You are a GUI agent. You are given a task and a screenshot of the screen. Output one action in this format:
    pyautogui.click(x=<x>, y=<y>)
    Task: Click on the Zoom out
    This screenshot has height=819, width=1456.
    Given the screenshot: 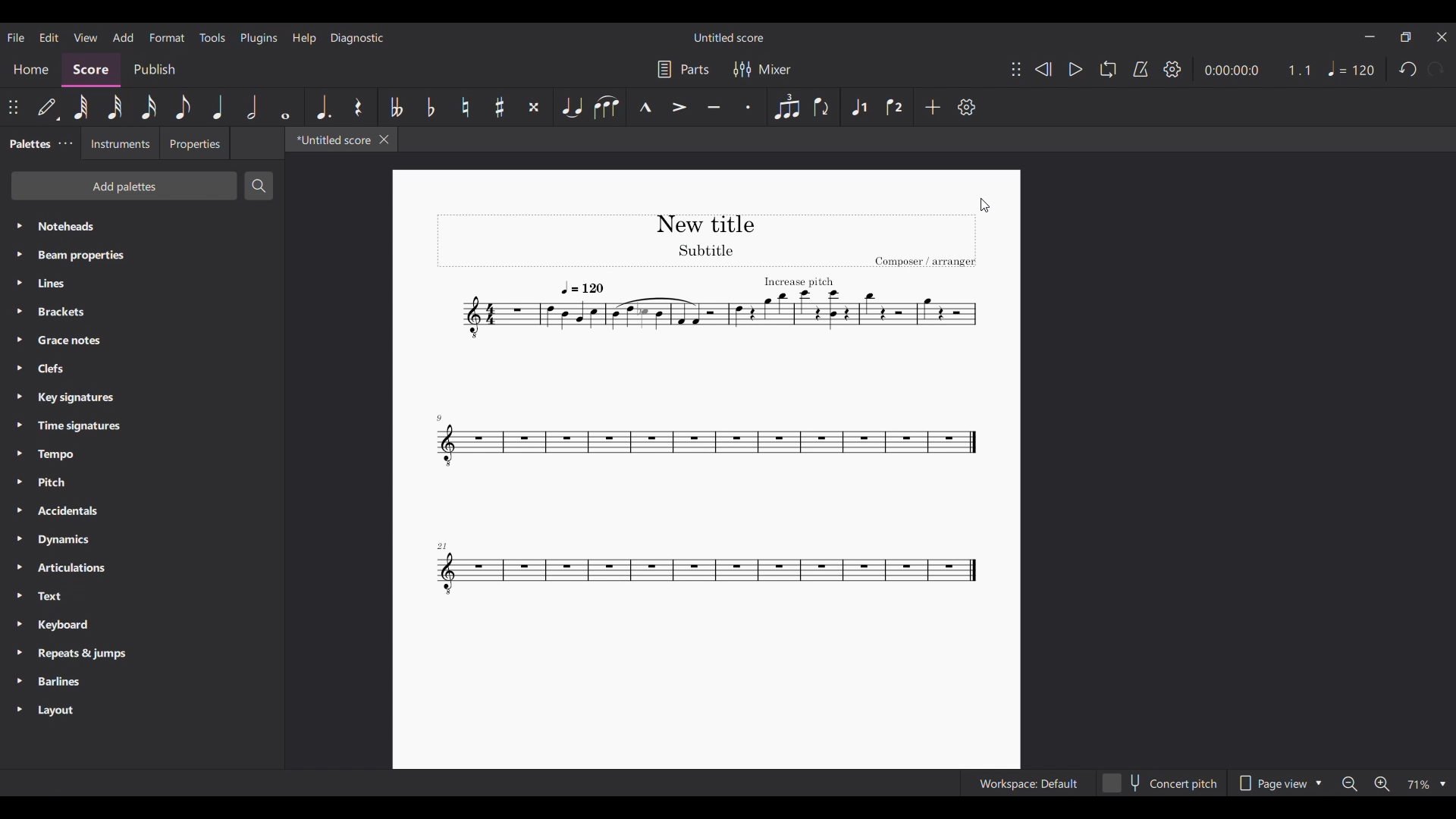 What is the action you would take?
    pyautogui.click(x=1349, y=783)
    